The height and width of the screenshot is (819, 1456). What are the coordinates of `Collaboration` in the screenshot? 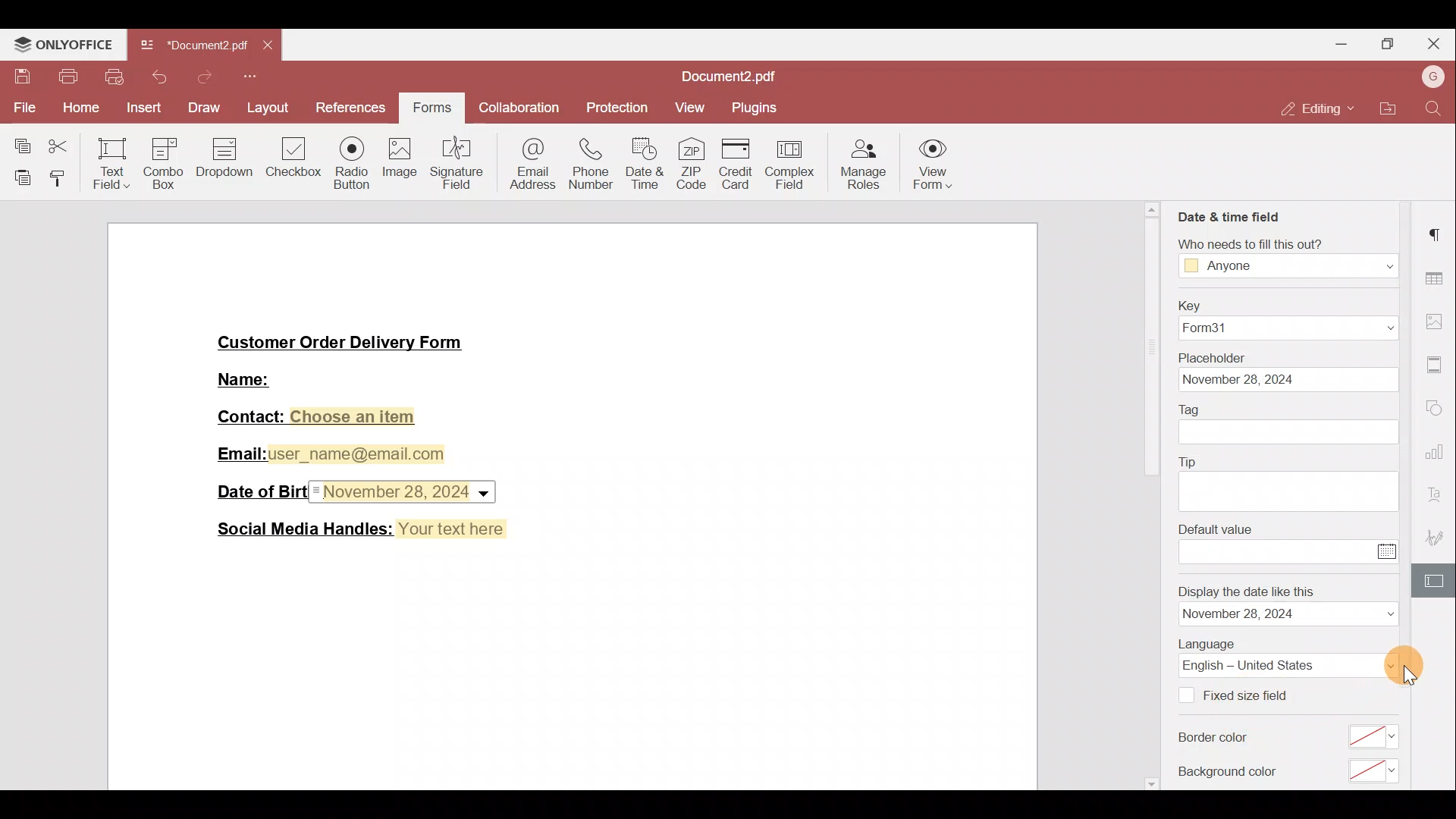 It's located at (516, 109).